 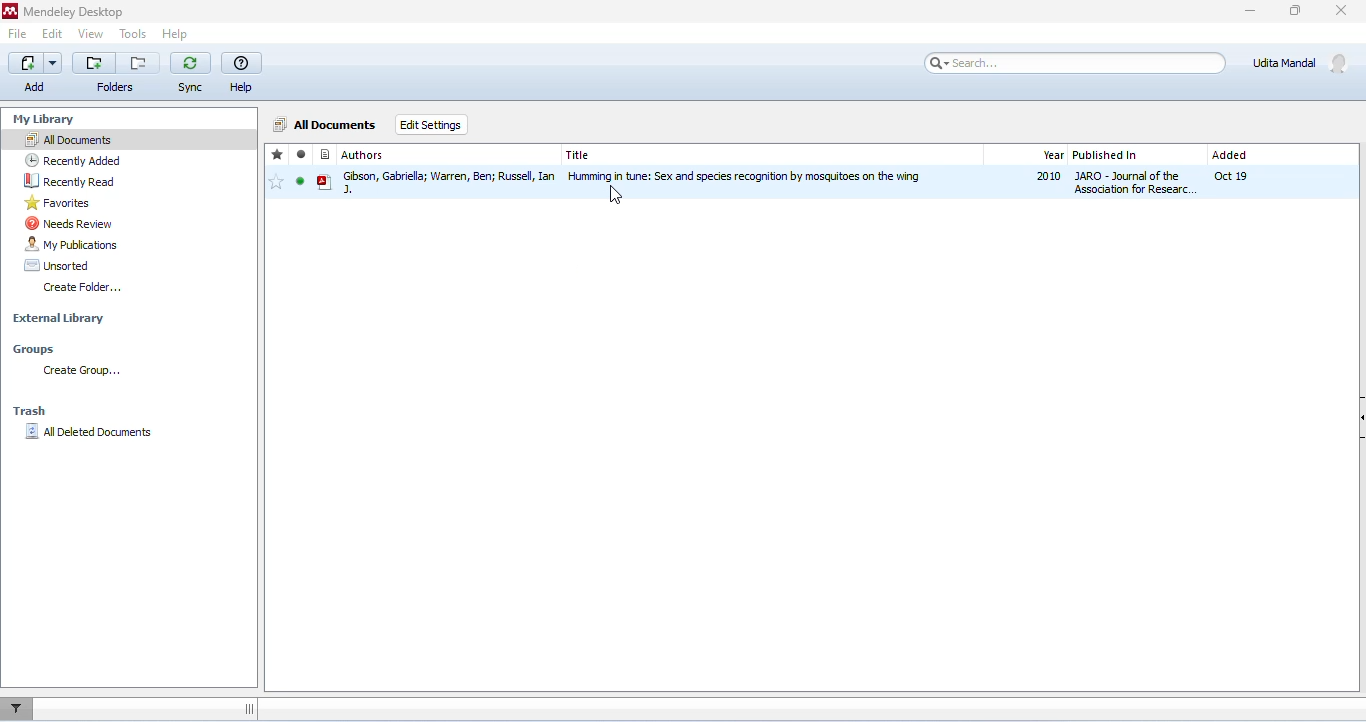 I want to click on all deleted documents, so click(x=93, y=436).